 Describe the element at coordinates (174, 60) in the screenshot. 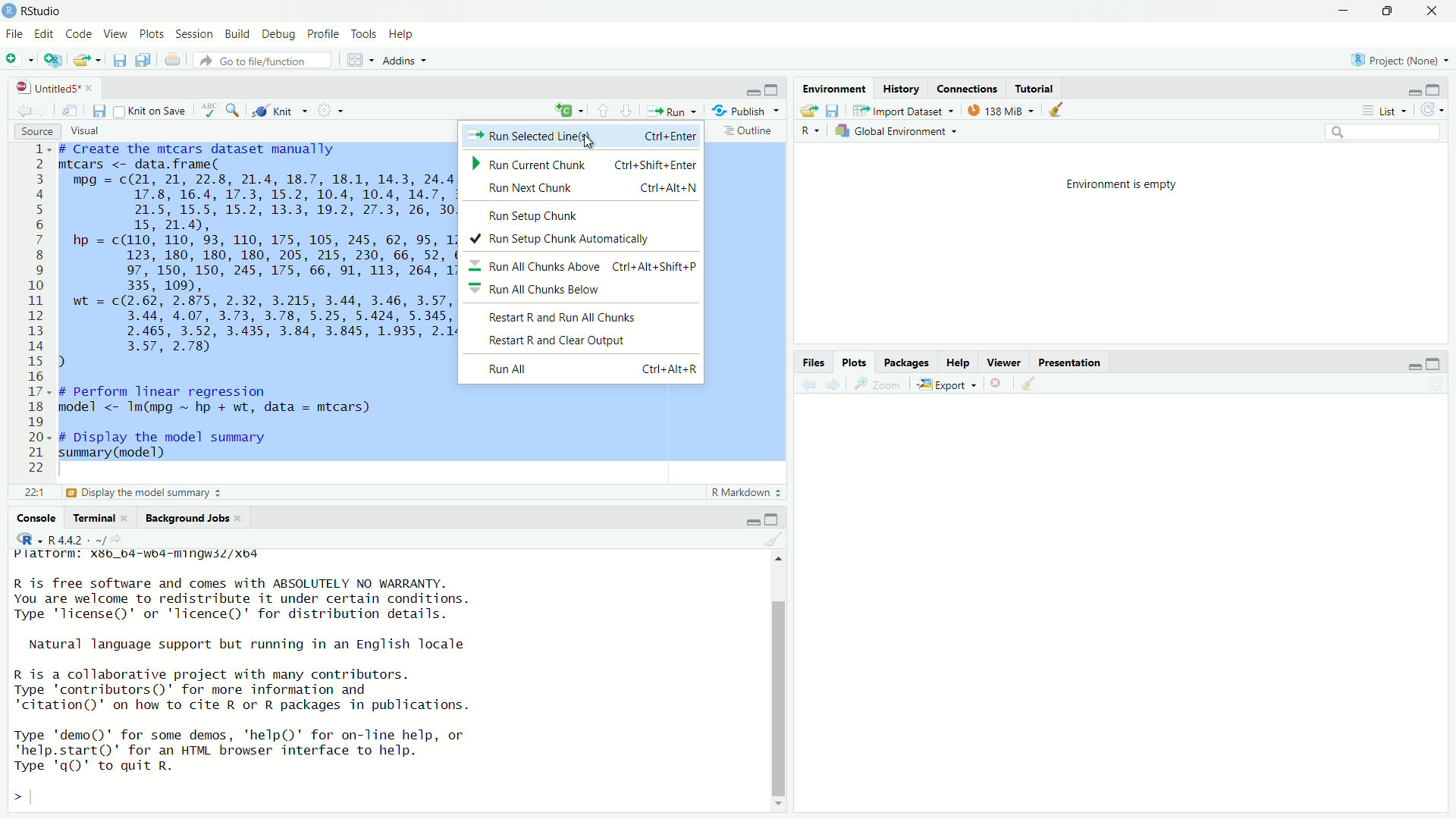

I see `print the current file` at that location.